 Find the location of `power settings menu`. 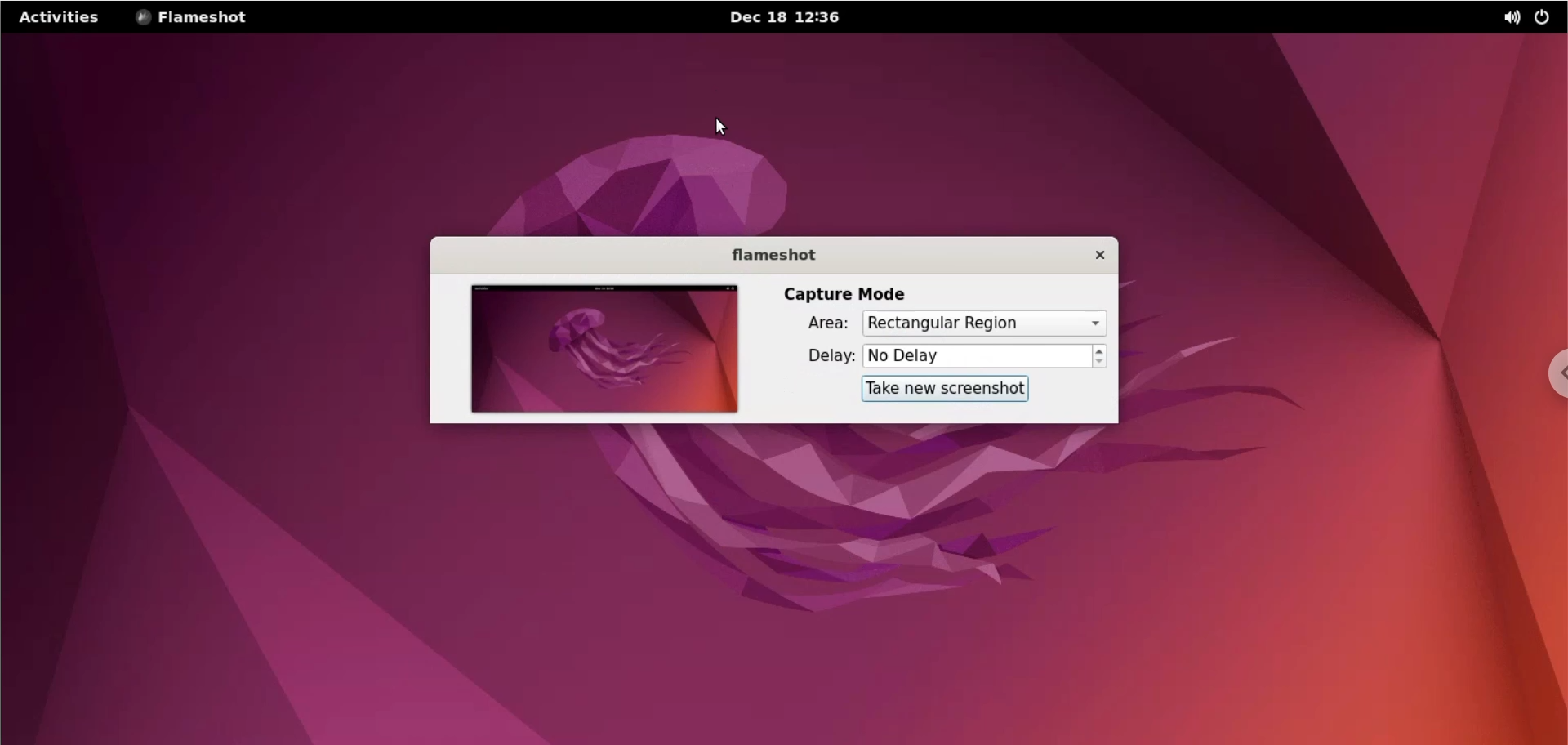

power settings menu is located at coordinates (1544, 16).